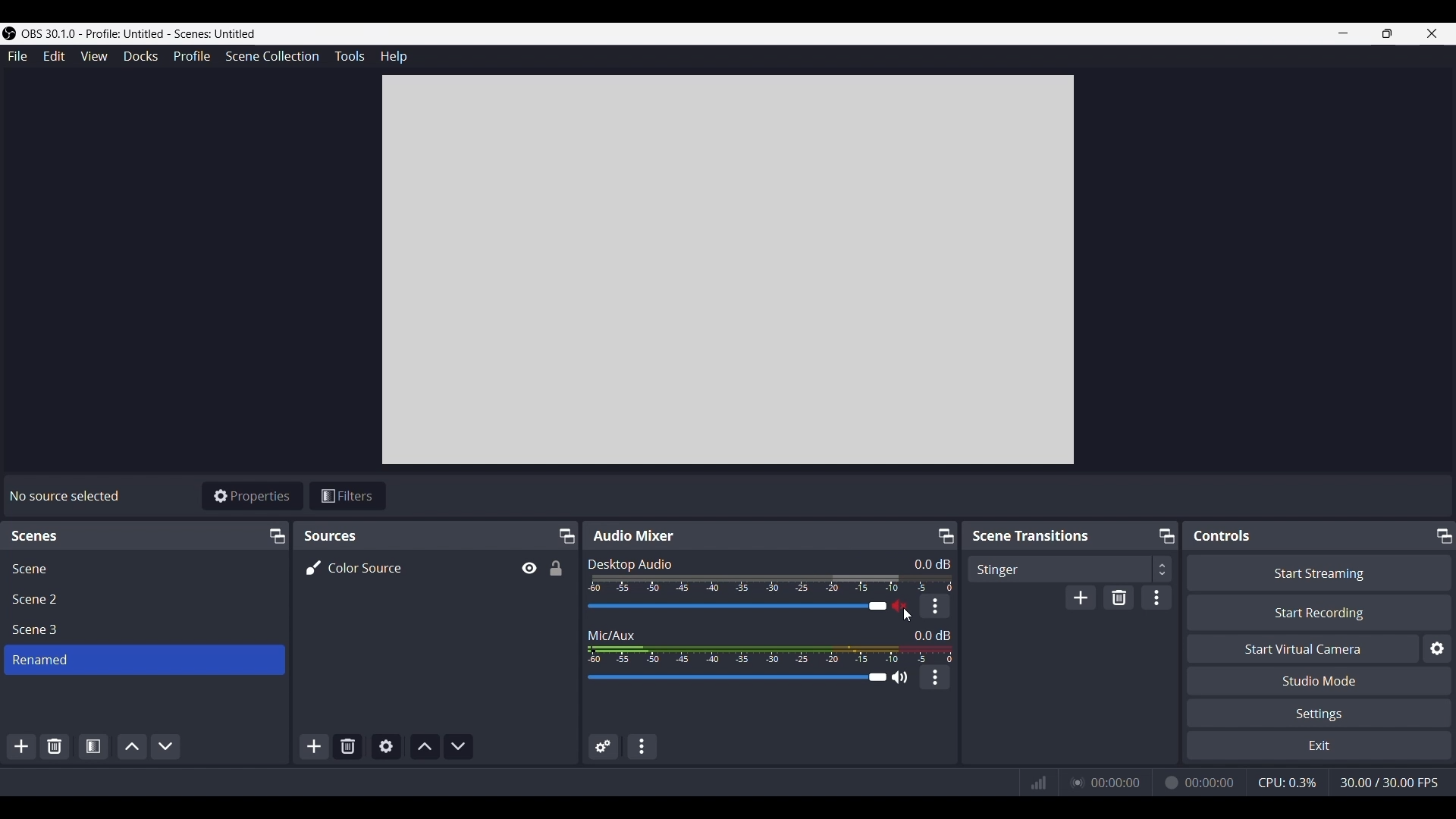 Image resolution: width=1456 pixels, height=819 pixels. What do you see at coordinates (132, 747) in the screenshot?
I see `Move scene one step up` at bounding box center [132, 747].